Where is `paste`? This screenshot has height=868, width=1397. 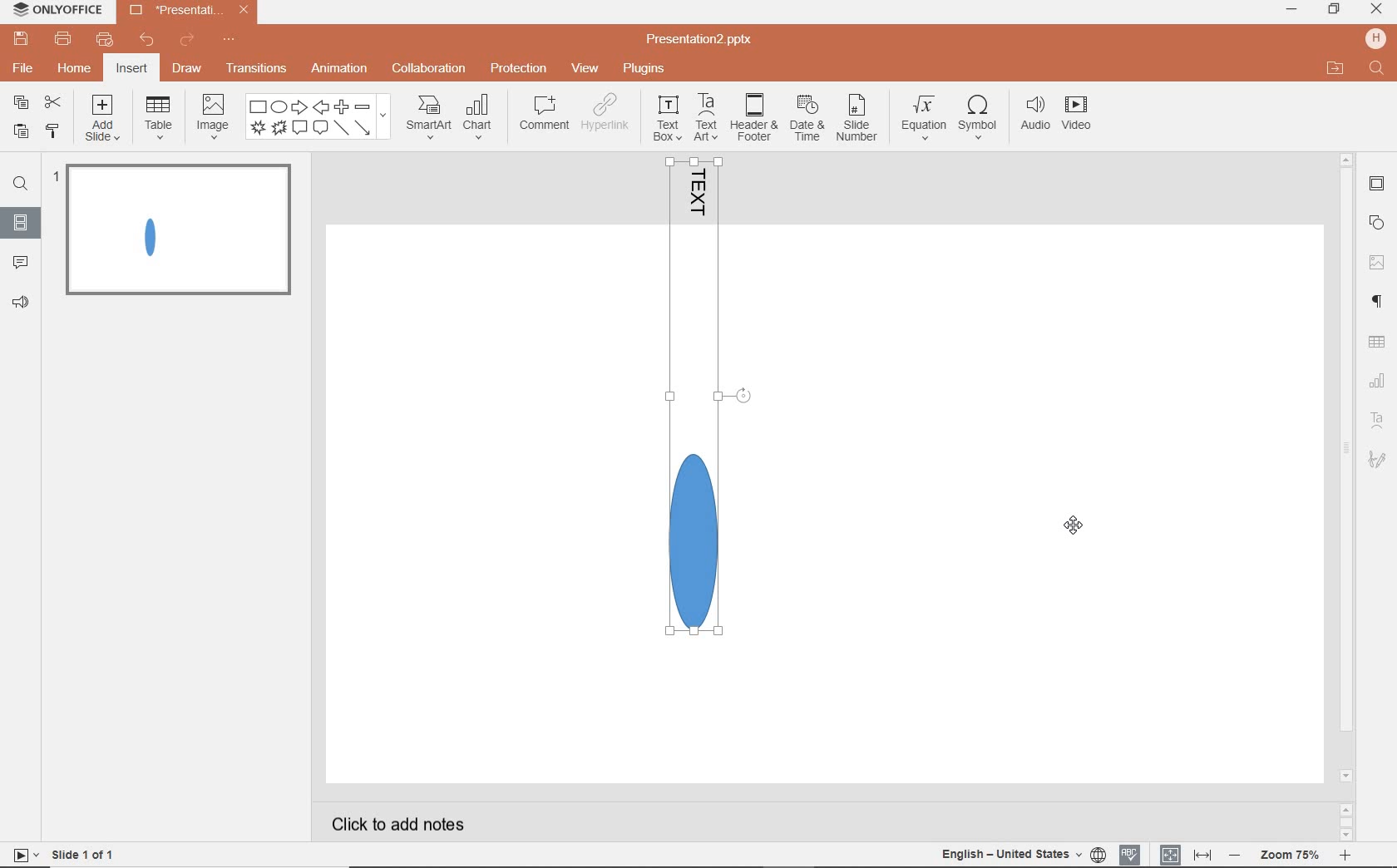
paste is located at coordinates (21, 133).